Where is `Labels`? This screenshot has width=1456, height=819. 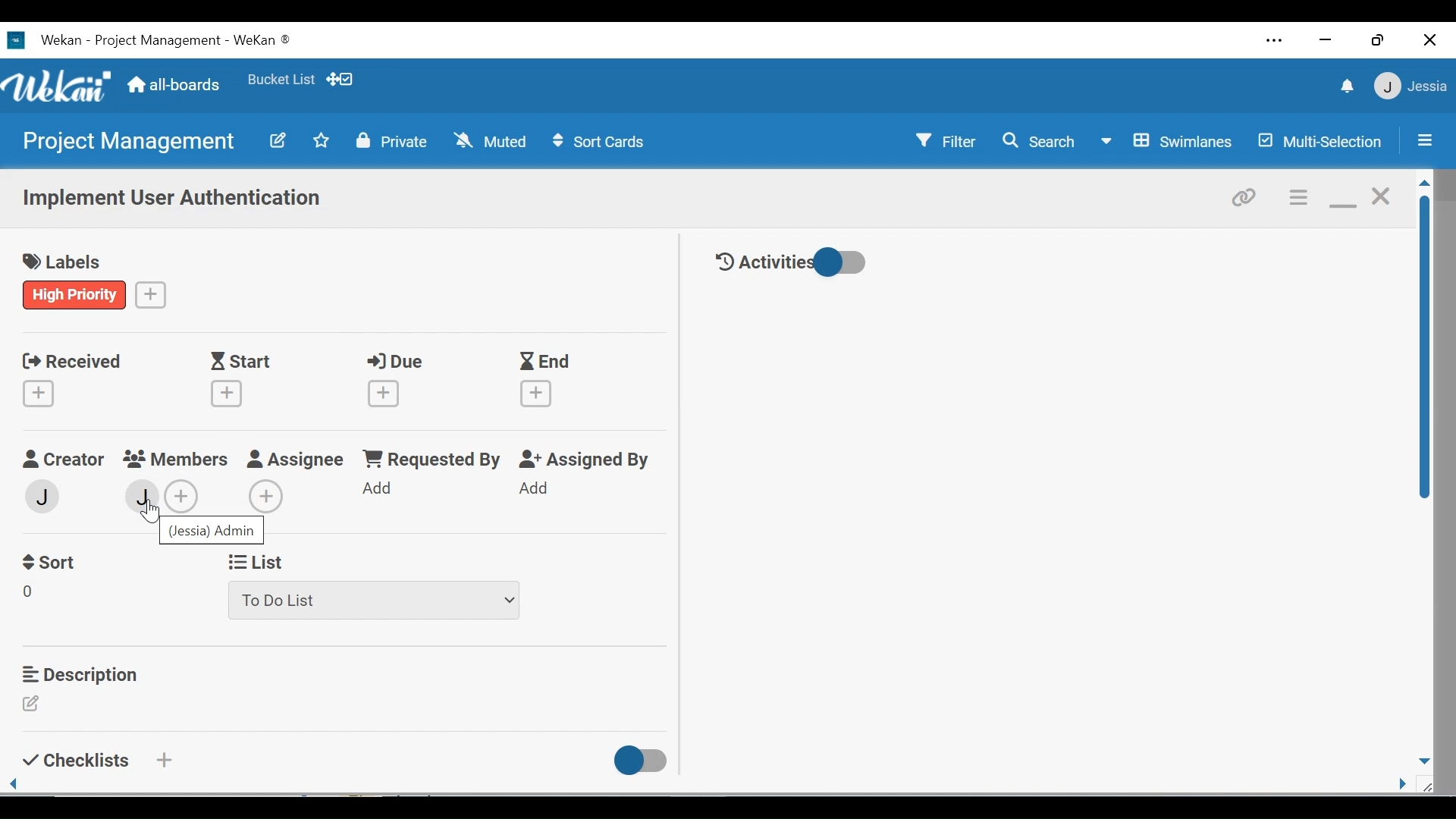 Labels is located at coordinates (63, 258).